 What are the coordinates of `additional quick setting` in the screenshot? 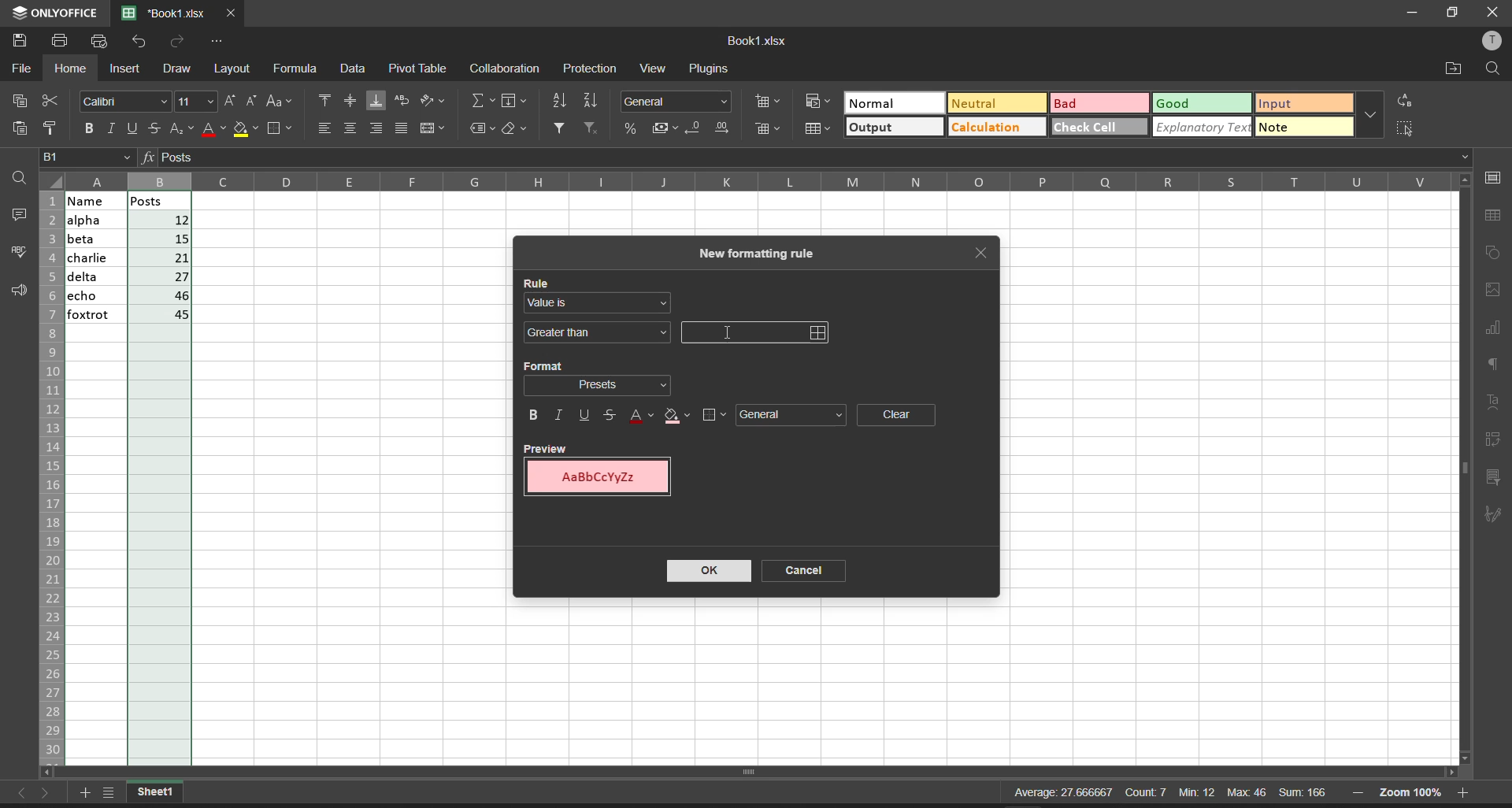 It's located at (1369, 109).